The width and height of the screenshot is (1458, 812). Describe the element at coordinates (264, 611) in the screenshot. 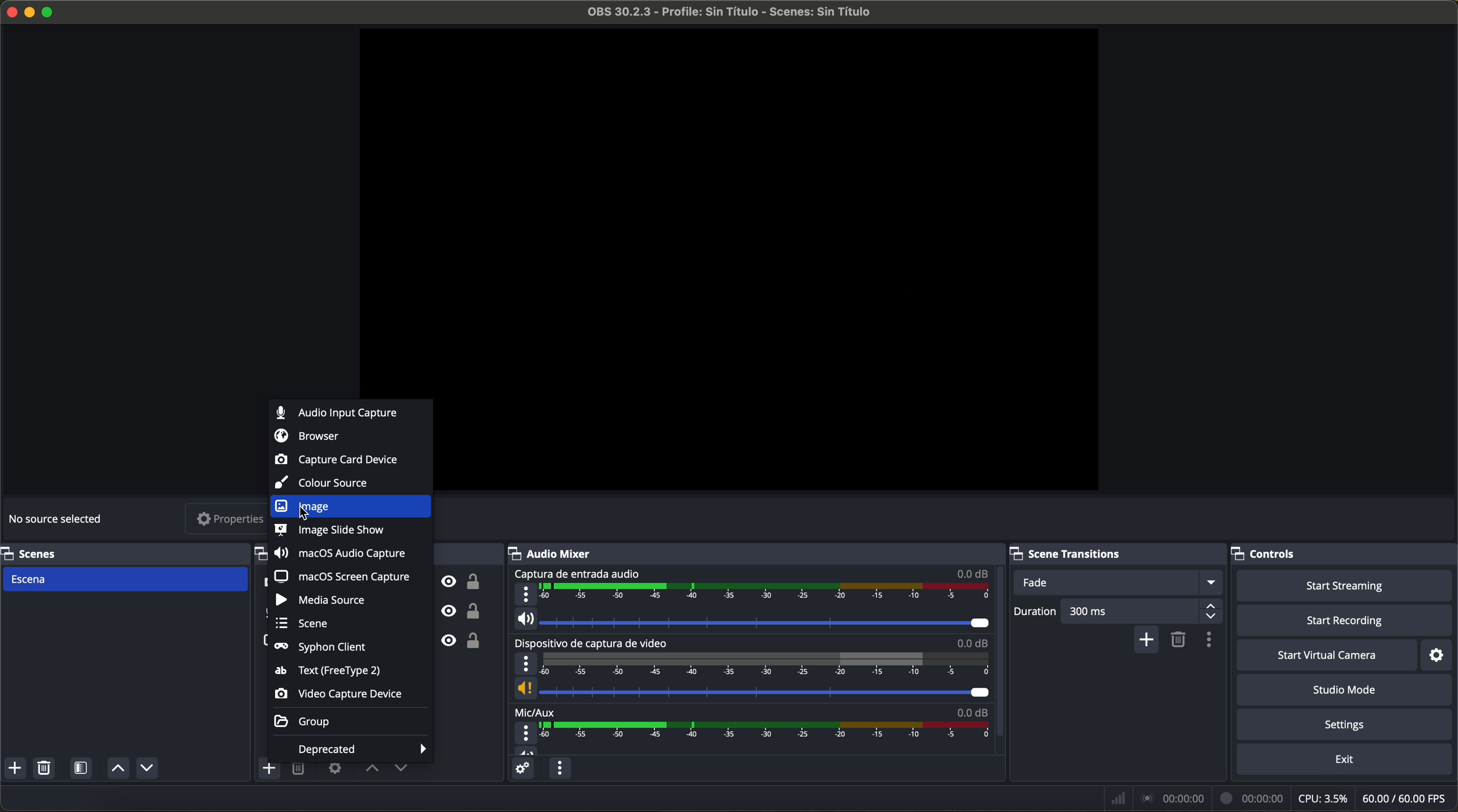

I see `audio input capture` at that location.